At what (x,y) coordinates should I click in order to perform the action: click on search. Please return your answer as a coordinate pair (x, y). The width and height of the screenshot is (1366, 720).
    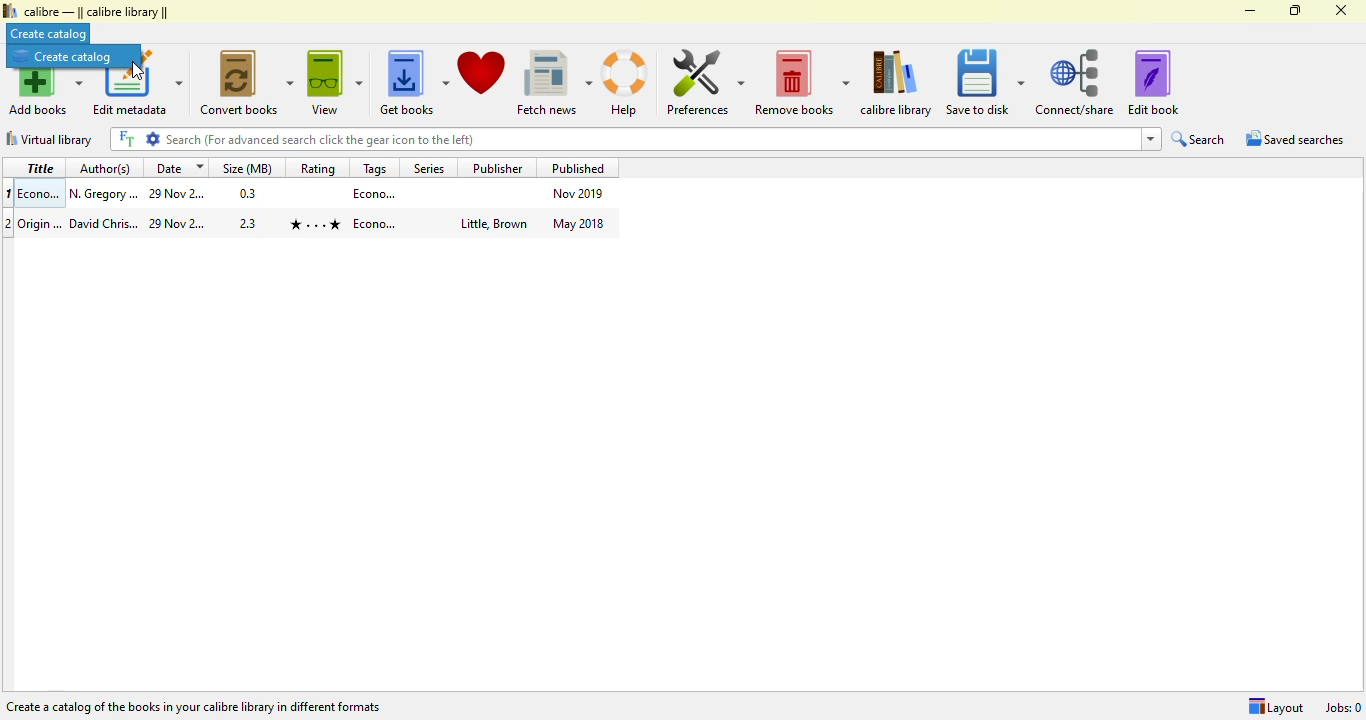
    Looking at the image, I should click on (636, 139).